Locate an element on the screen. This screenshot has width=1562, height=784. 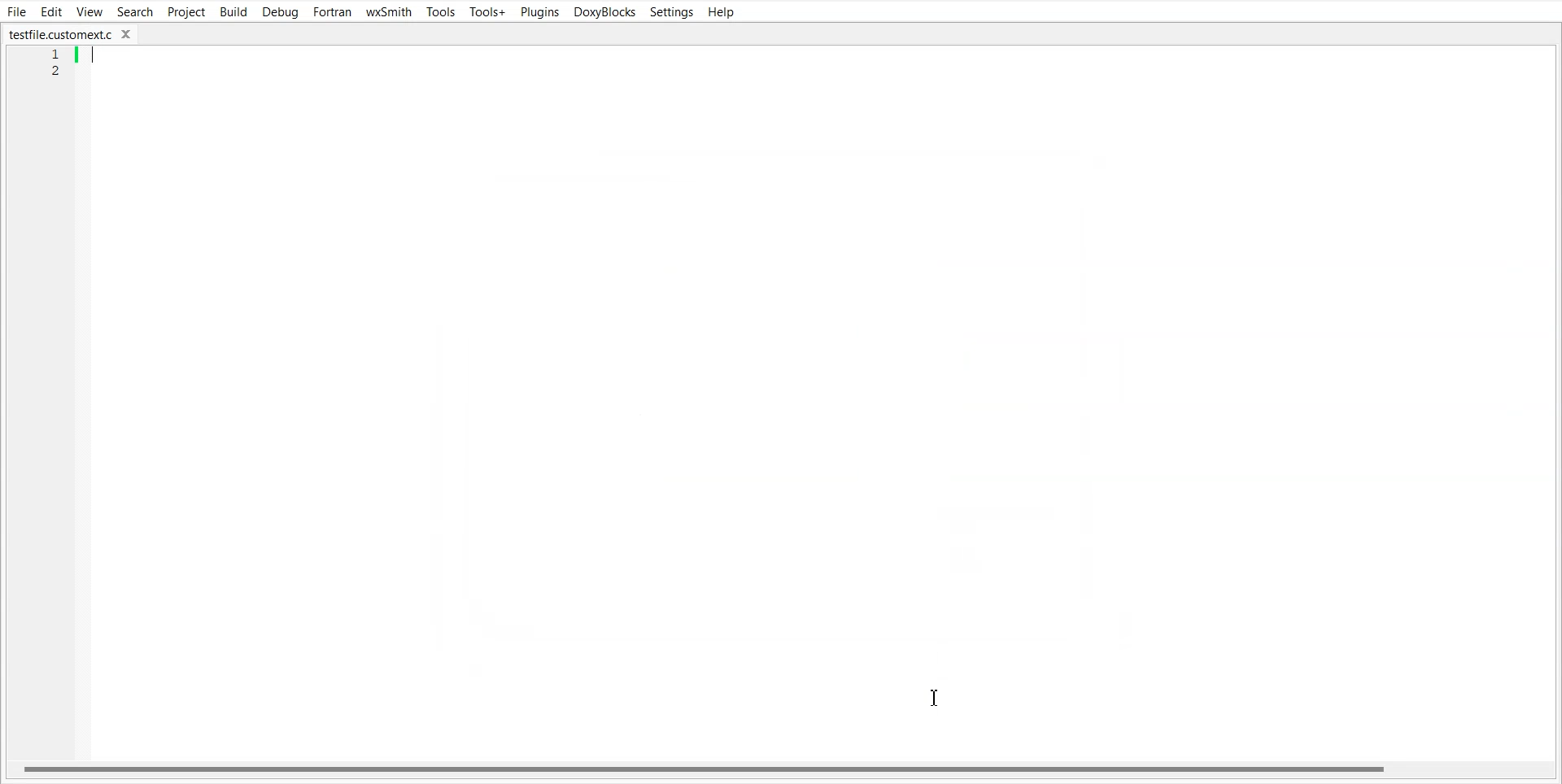
View is located at coordinates (89, 12).